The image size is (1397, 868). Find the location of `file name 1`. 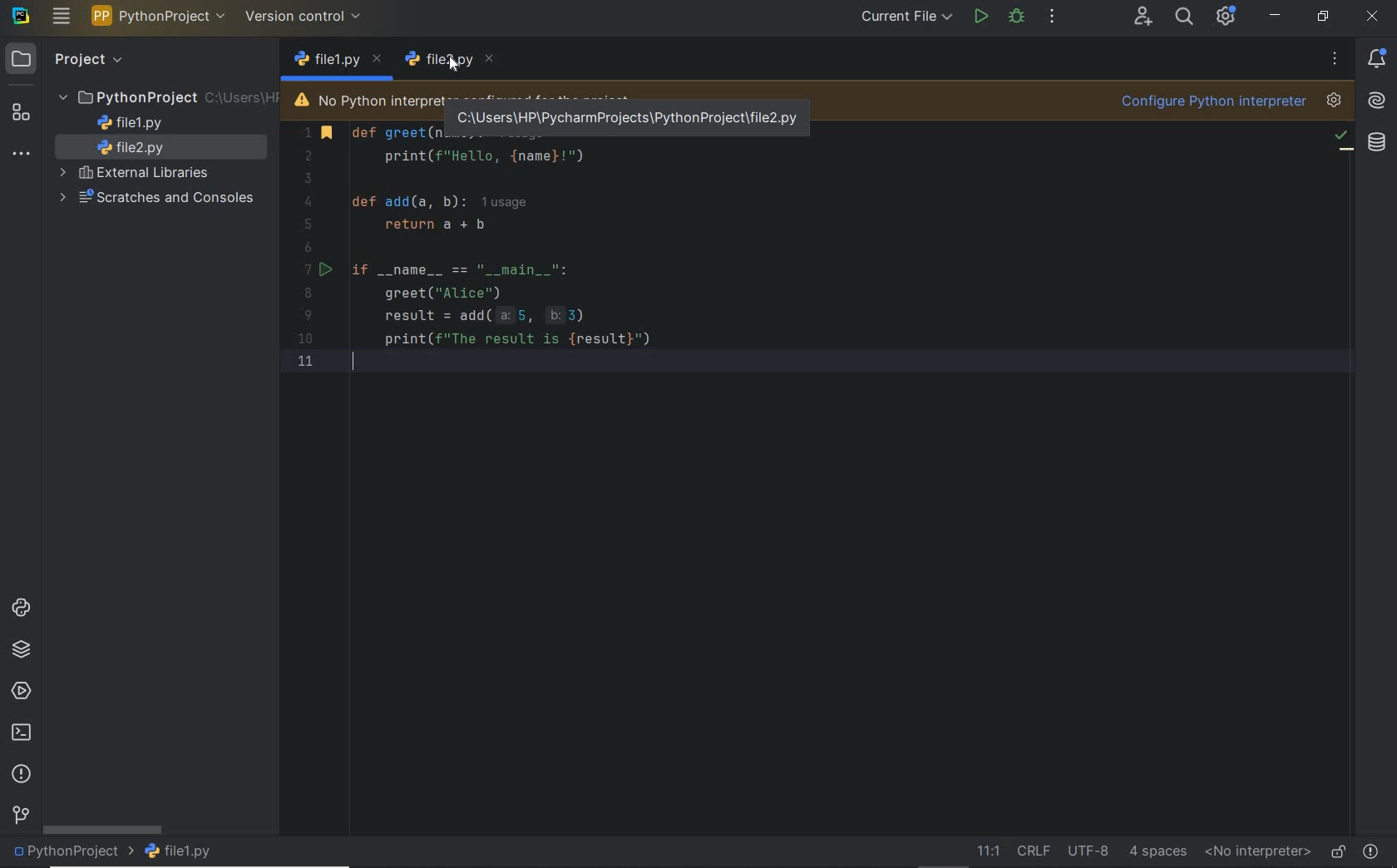

file name 1 is located at coordinates (438, 60).